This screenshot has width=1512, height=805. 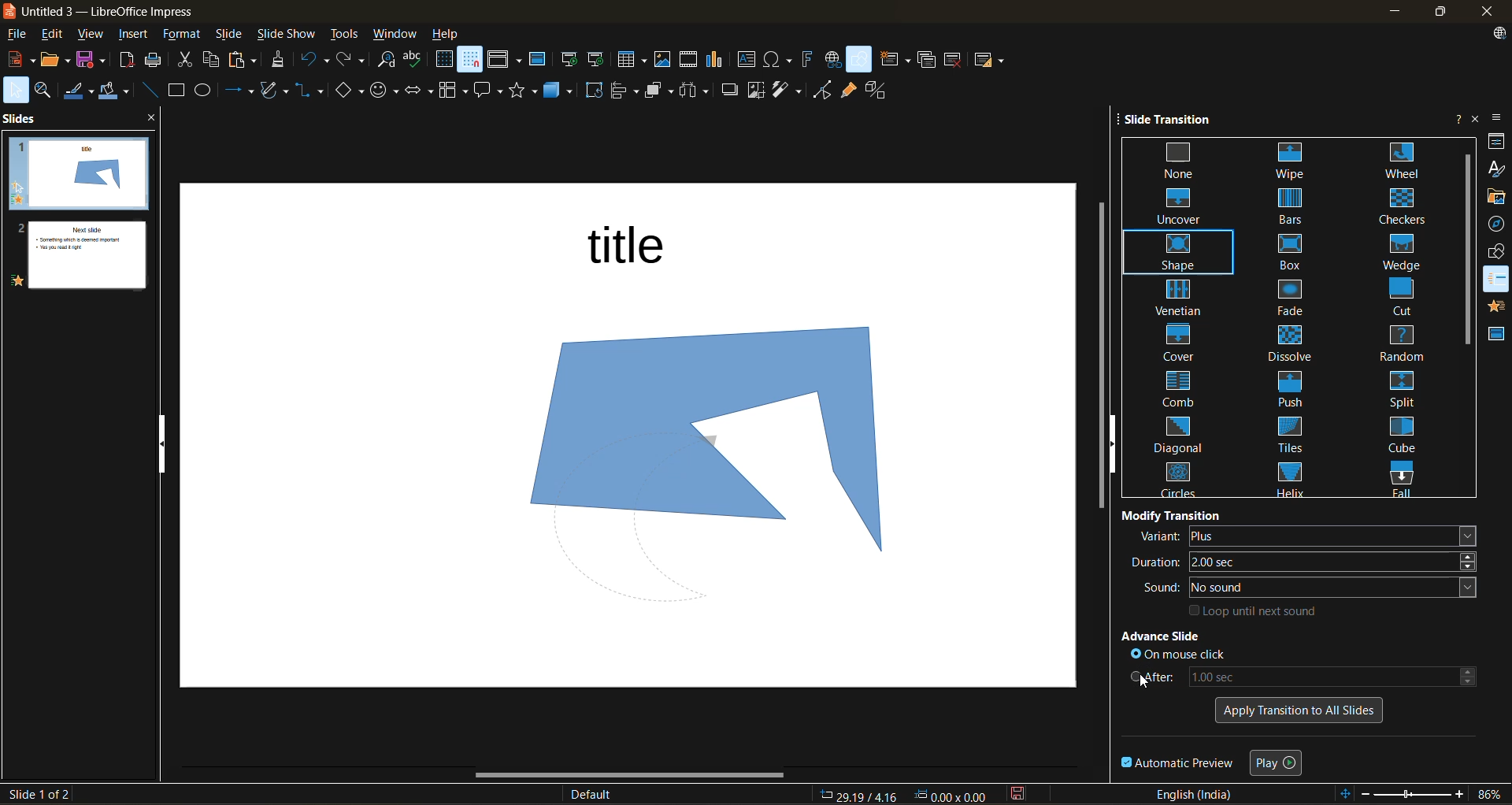 What do you see at coordinates (94, 61) in the screenshot?
I see `save` at bounding box center [94, 61].